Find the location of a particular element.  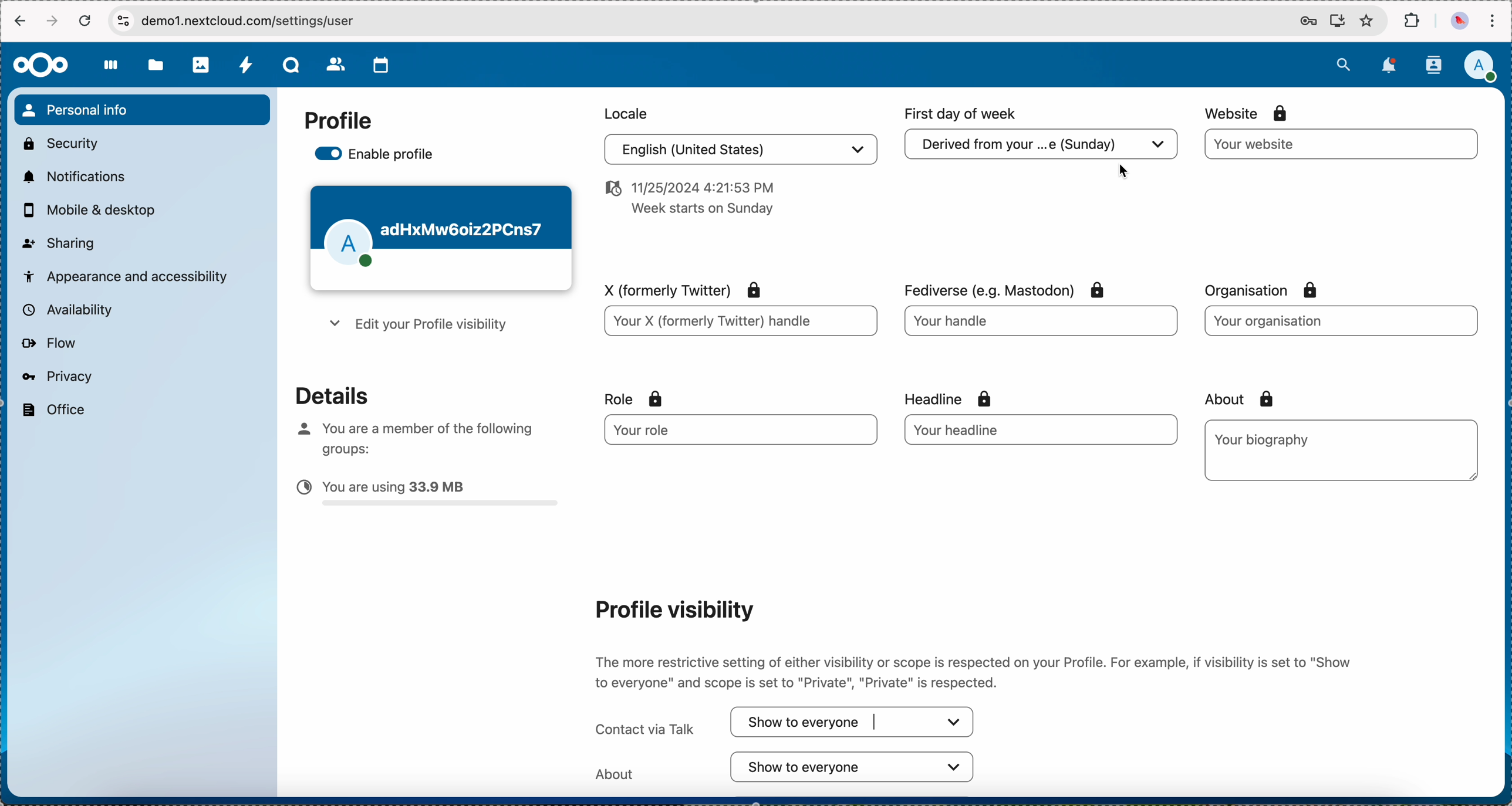

about is located at coordinates (1235, 399).